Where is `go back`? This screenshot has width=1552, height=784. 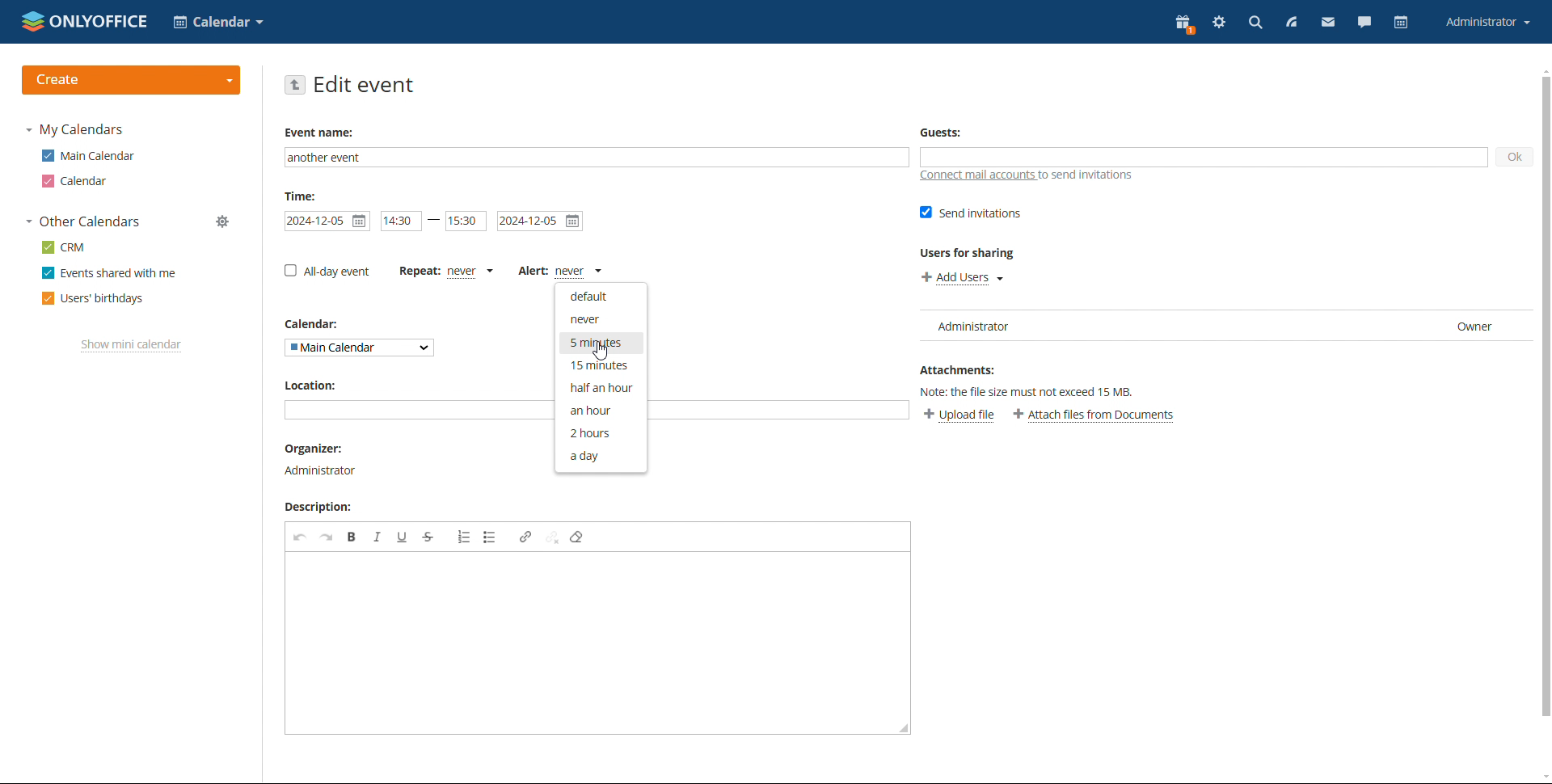 go back is located at coordinates (293, 85).